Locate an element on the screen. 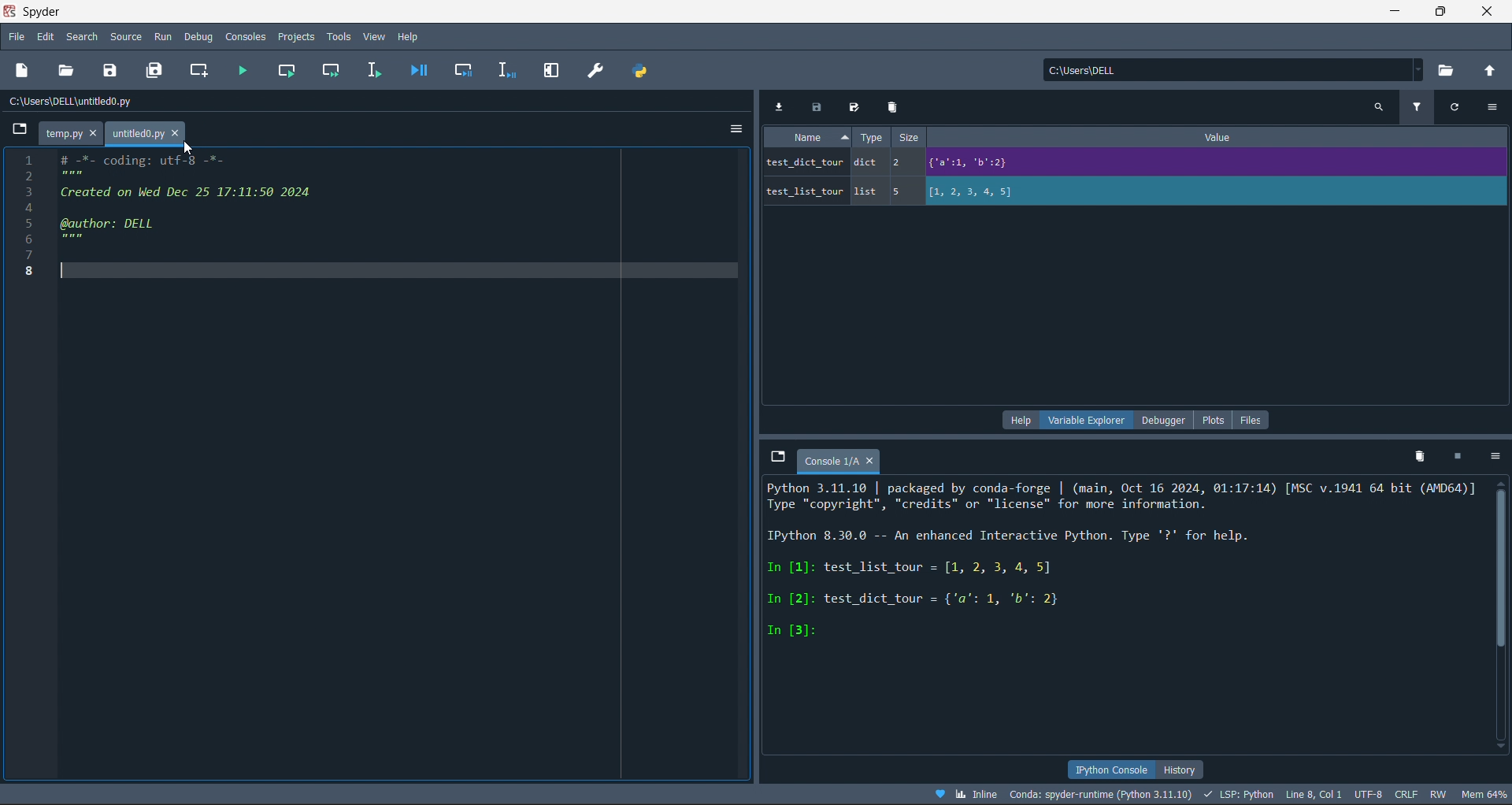 This screenshot has width=1512, height=805. save data is located at coordinates (815, 104).